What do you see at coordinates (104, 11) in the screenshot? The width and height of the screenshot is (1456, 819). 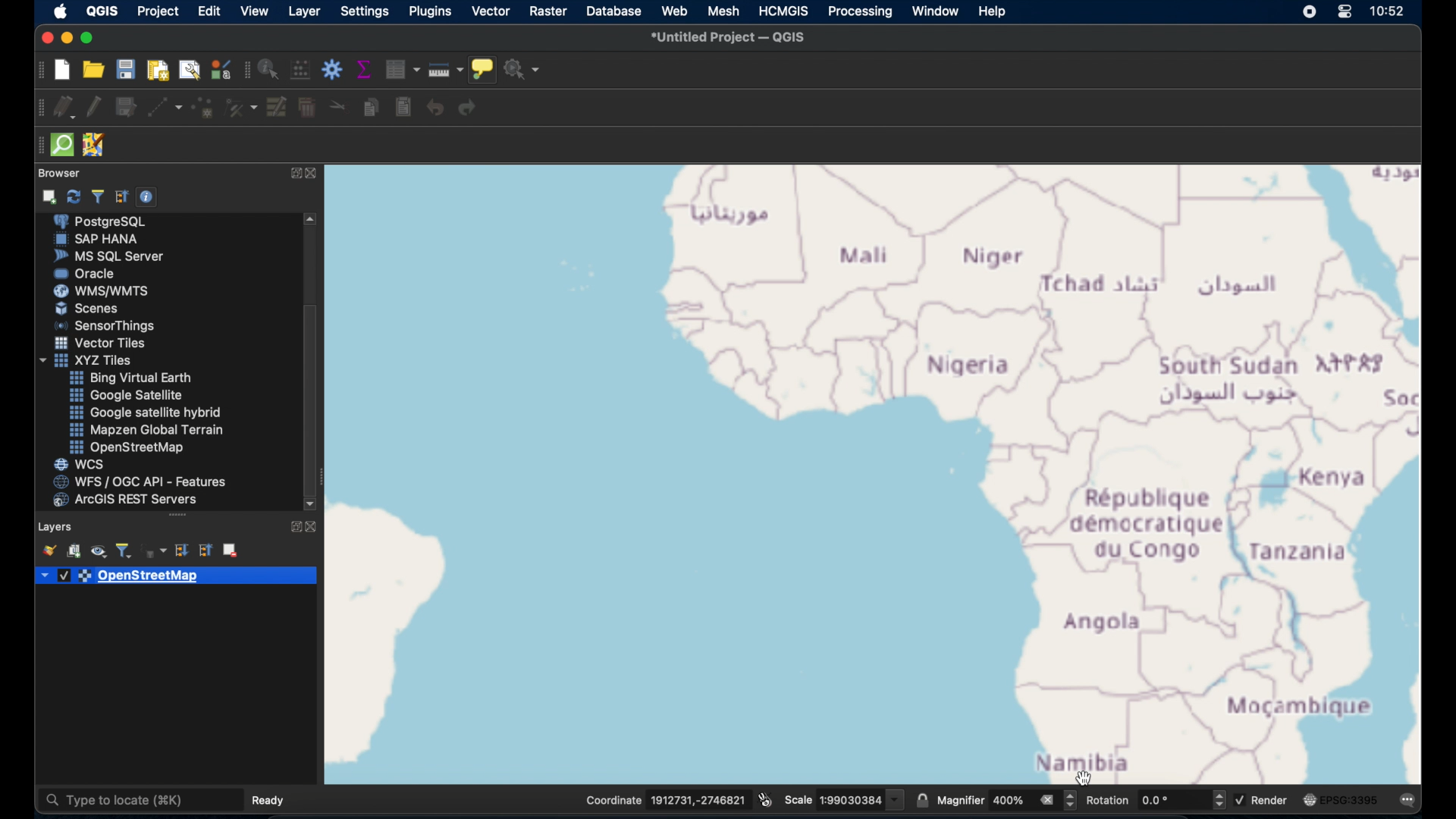 I see `QGIS` at bounding box center [104, 11].